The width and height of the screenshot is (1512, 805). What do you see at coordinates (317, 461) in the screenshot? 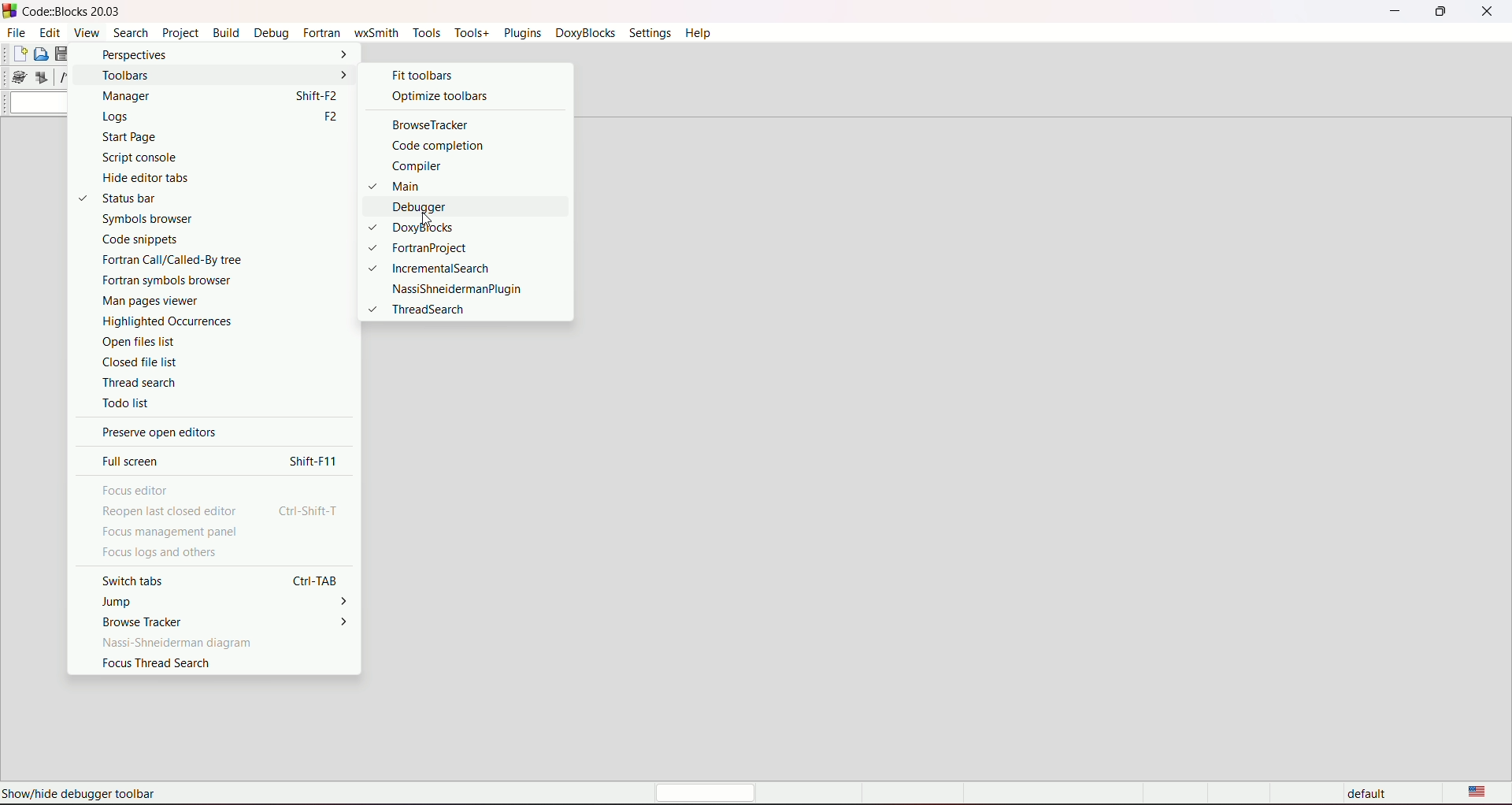
I see `shift+F11` at bounding box center [317, 461].